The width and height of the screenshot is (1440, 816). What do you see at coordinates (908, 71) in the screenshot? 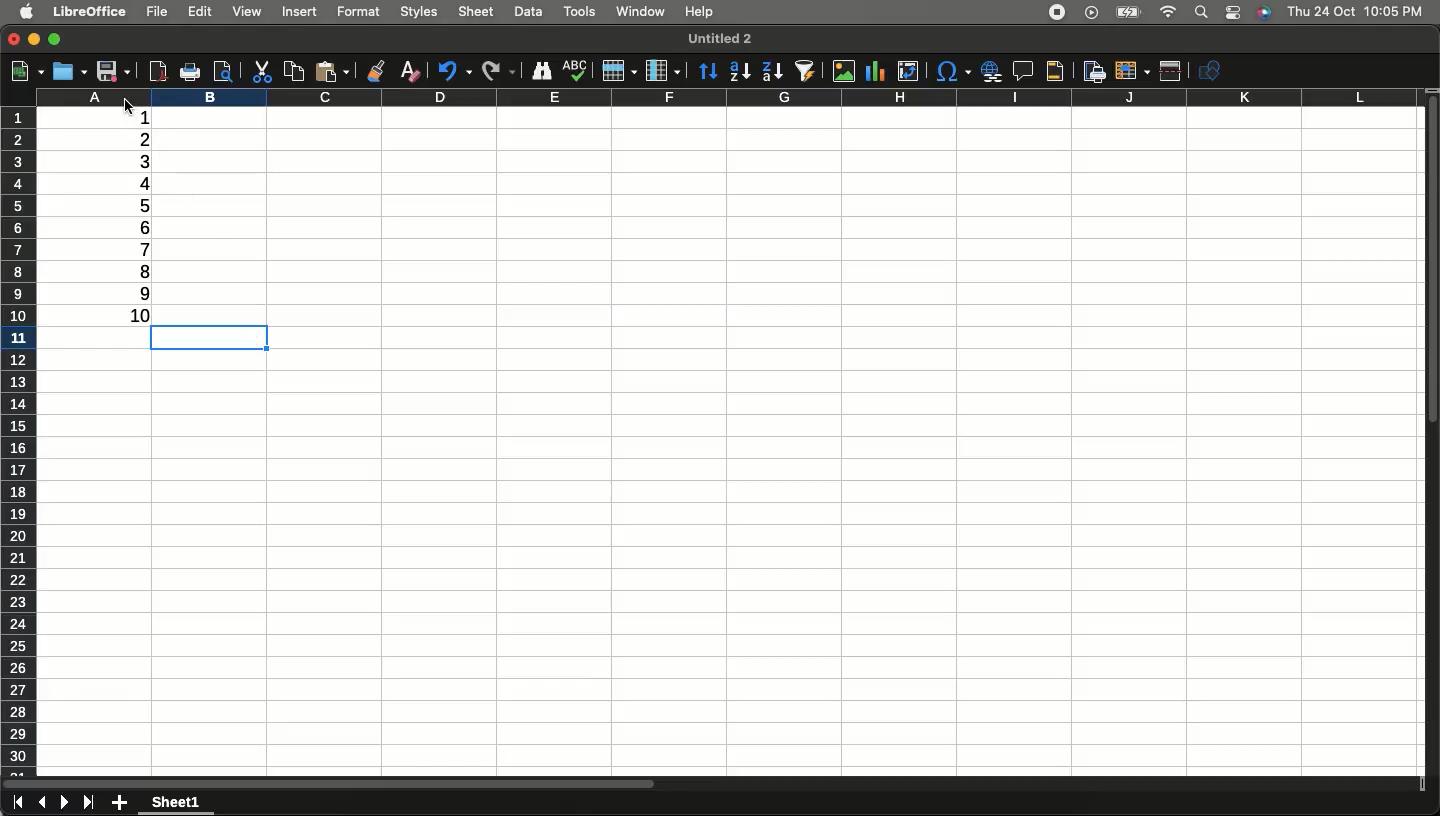
I see `Insert or edit pivot table` at bounding box center [908, 71].